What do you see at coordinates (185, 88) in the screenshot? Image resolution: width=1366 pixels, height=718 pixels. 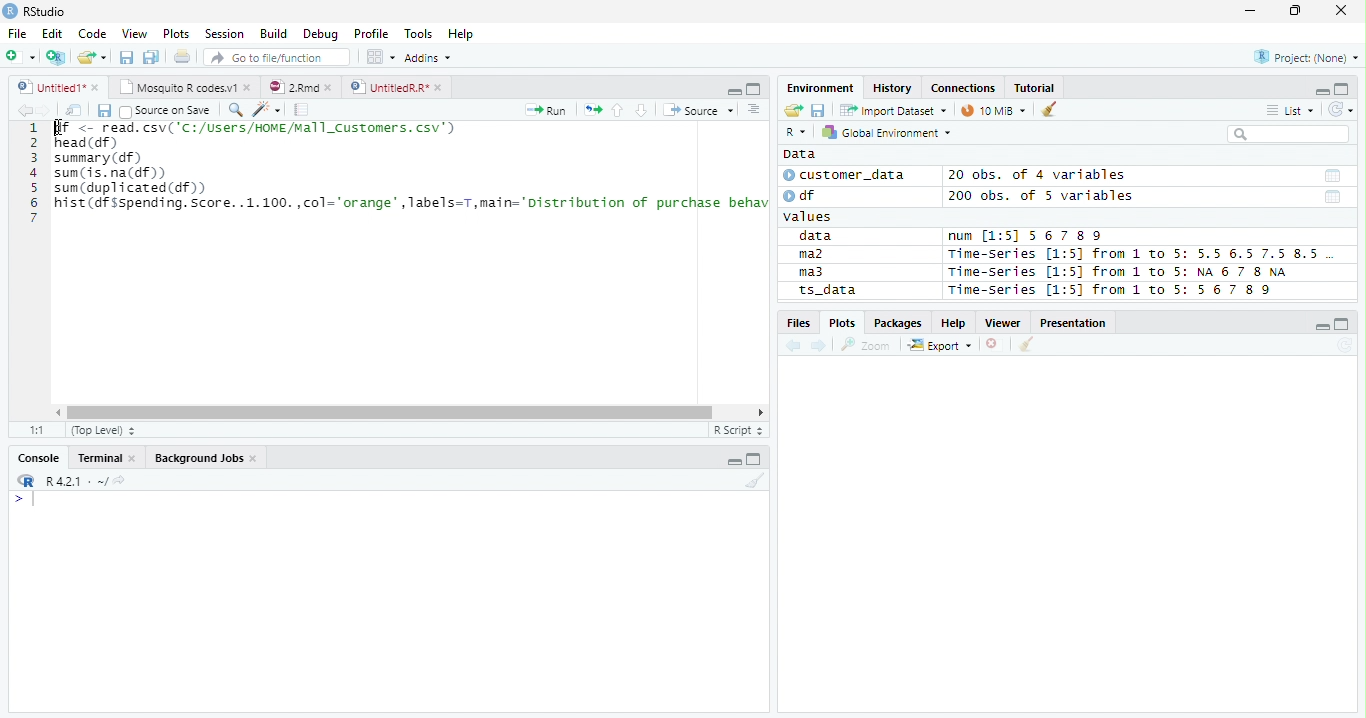 I see `Mosquito T codes.v1` at bounding box center [185, 88].